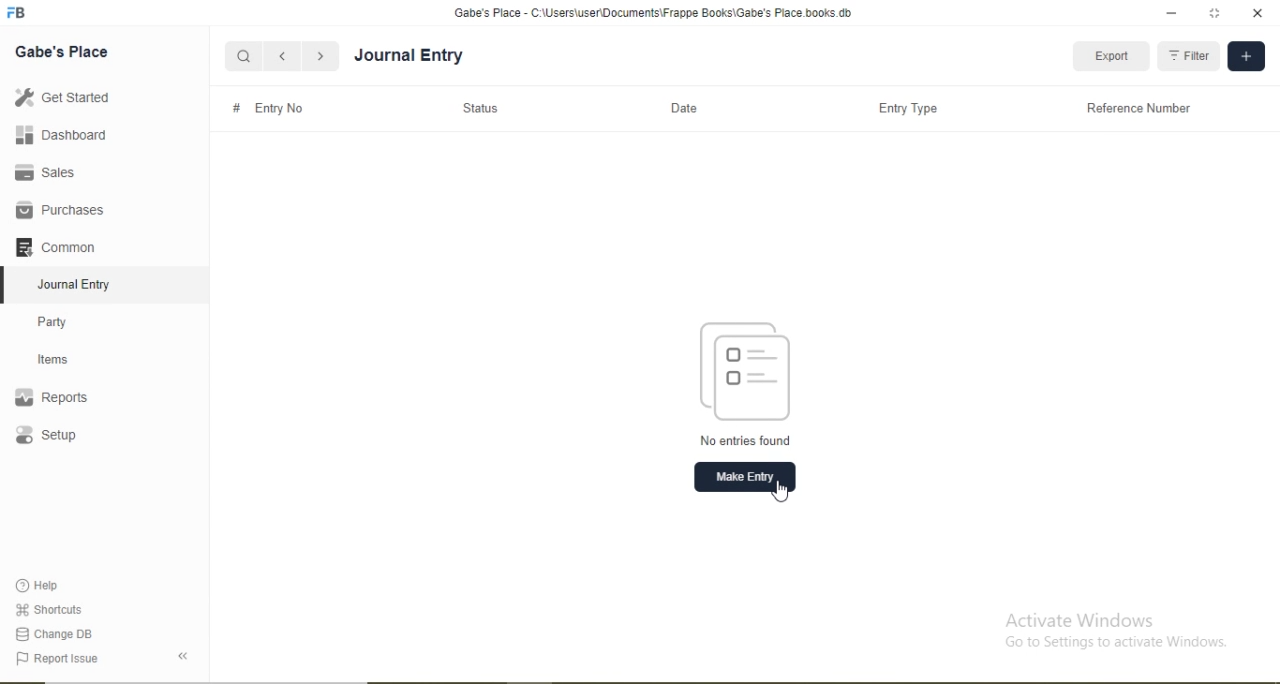 This screenshot has height=684, width=1280. I want to click on Make Entry, so click(744, 478).